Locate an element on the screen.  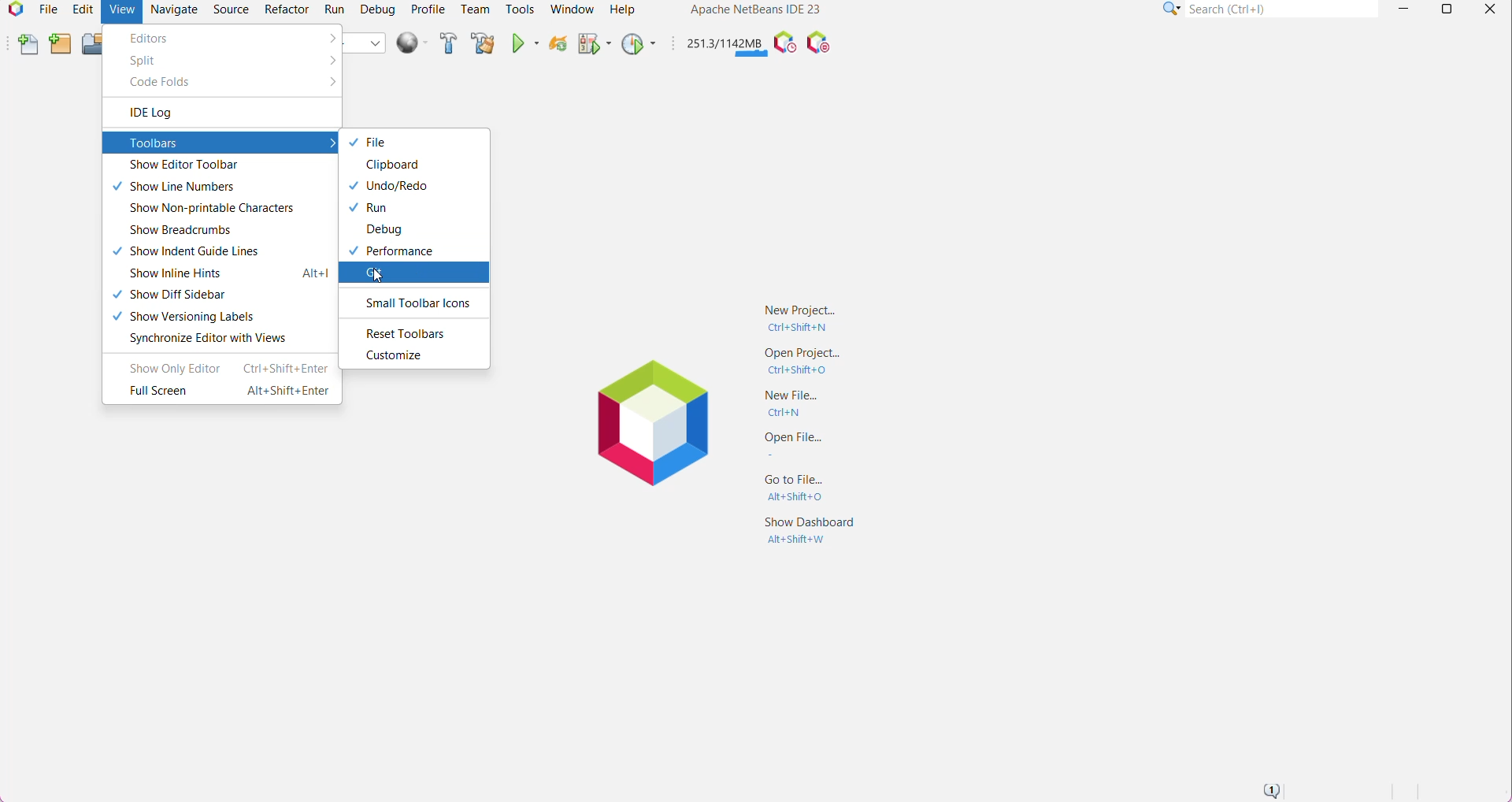
Editors is located at coordinates (156, 38).